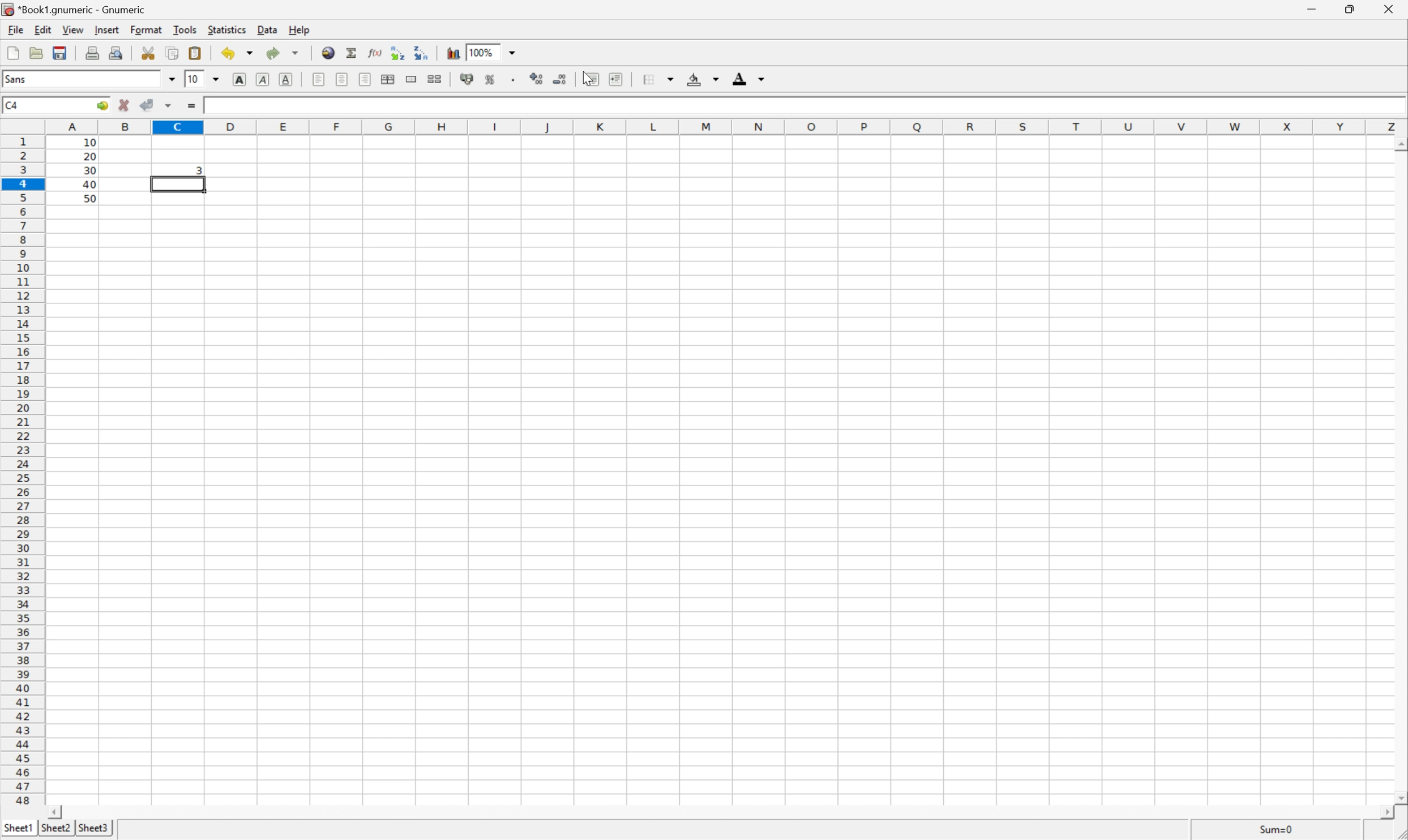  What do you see at coordinates (38, 51) in the screenshot?
I see `Open a file` at bounding box center [38, 51].